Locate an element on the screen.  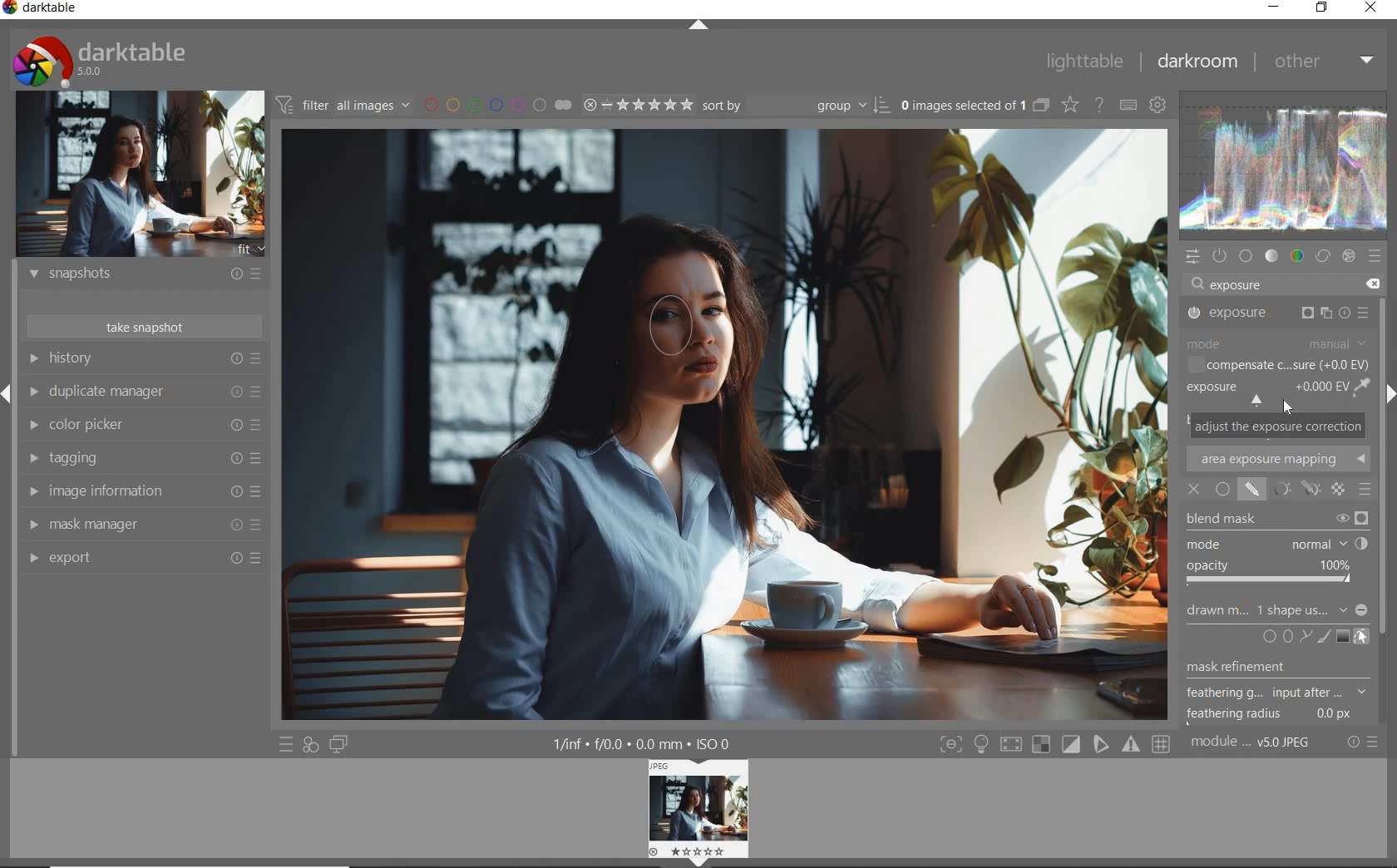
reset or presets & preferences is located at coordinates (1362, 742).